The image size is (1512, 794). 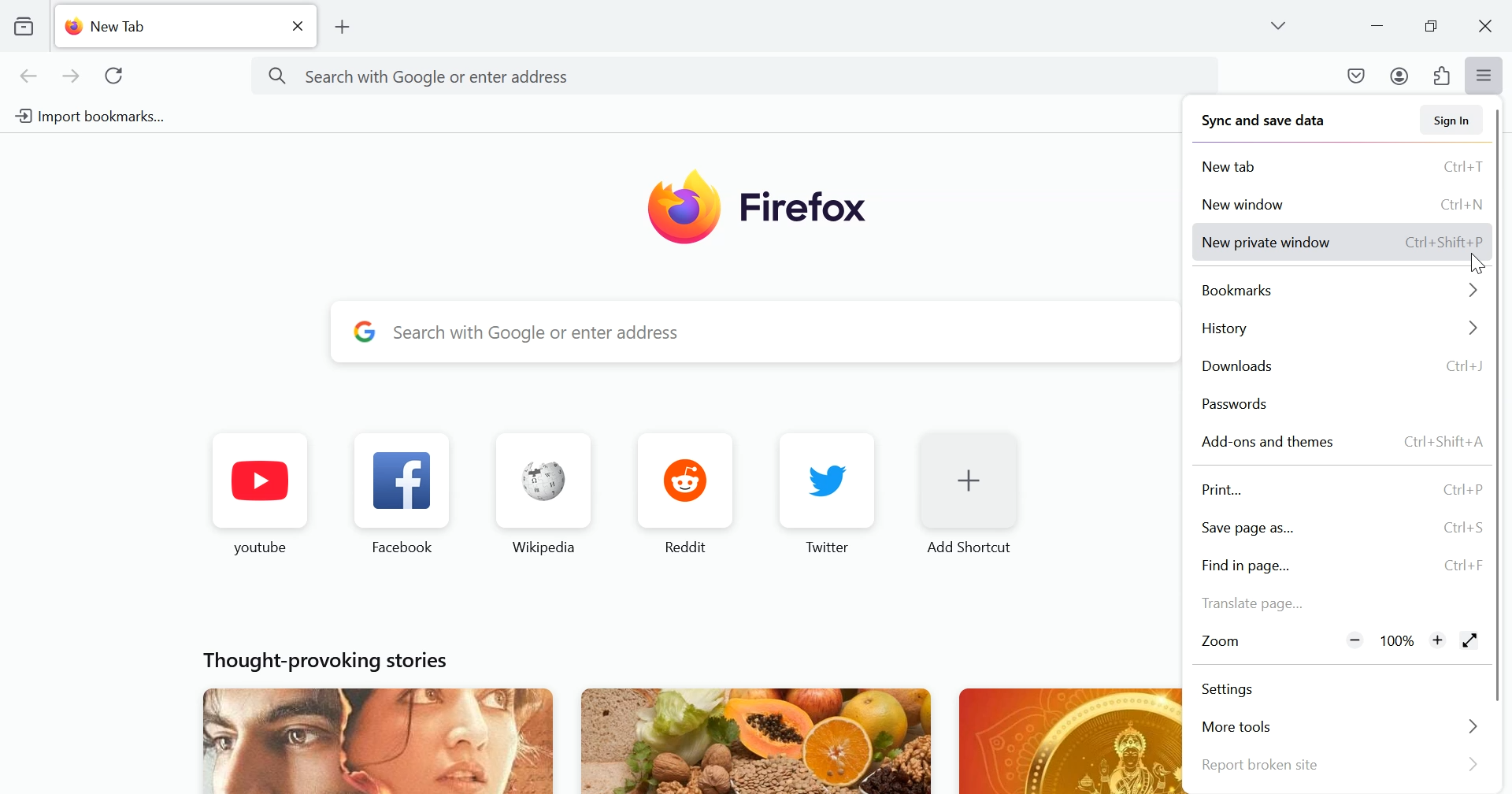 I want to click on report broken site, so click(x=1340, y=766).